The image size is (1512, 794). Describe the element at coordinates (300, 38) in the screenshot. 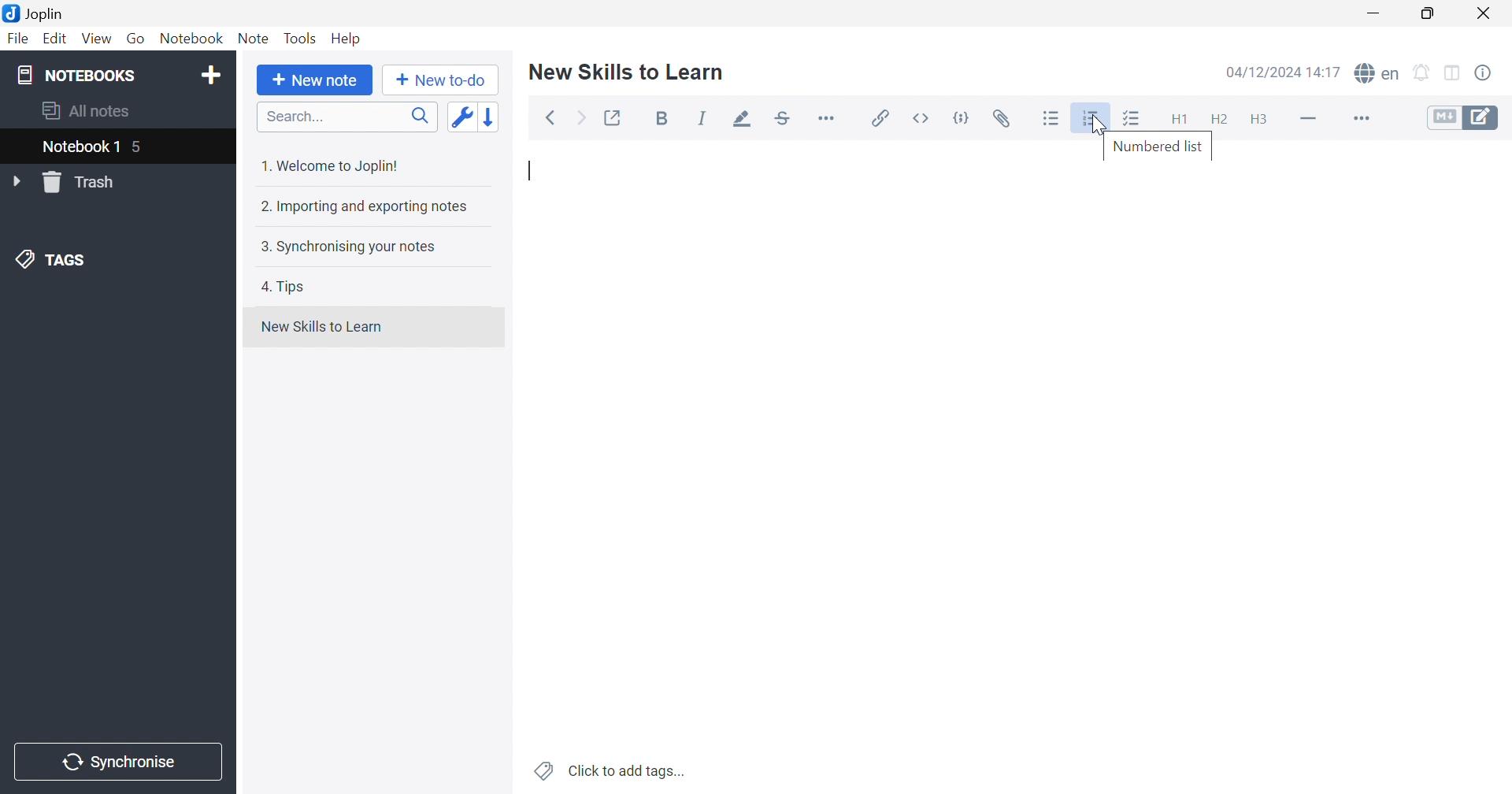

I see `Tools` at that location.